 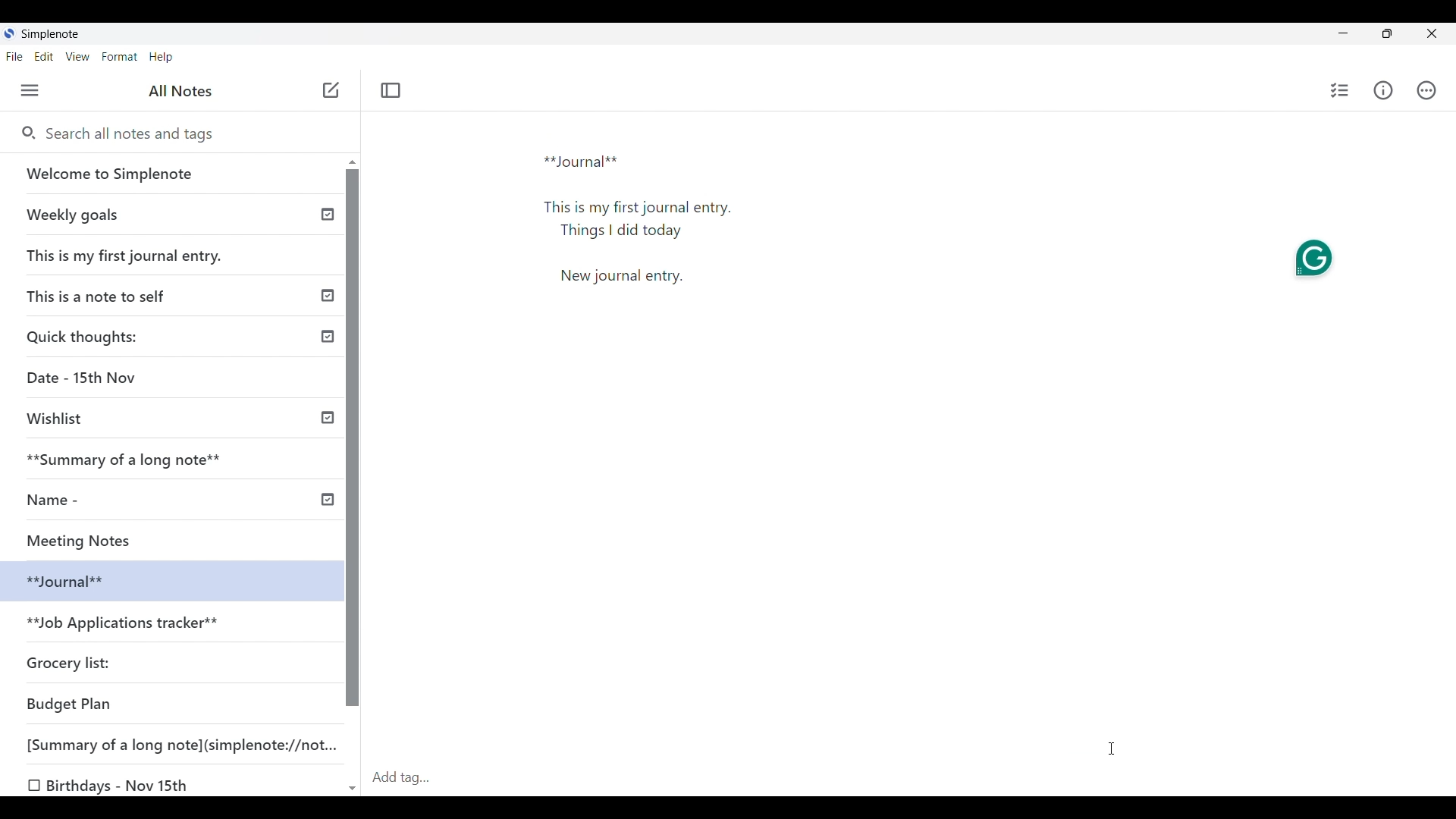 What do you see at coordinates (353, 438) in the screenshot?
I see `Vertical slide bar for left panel` at bounding box center [353, 438].